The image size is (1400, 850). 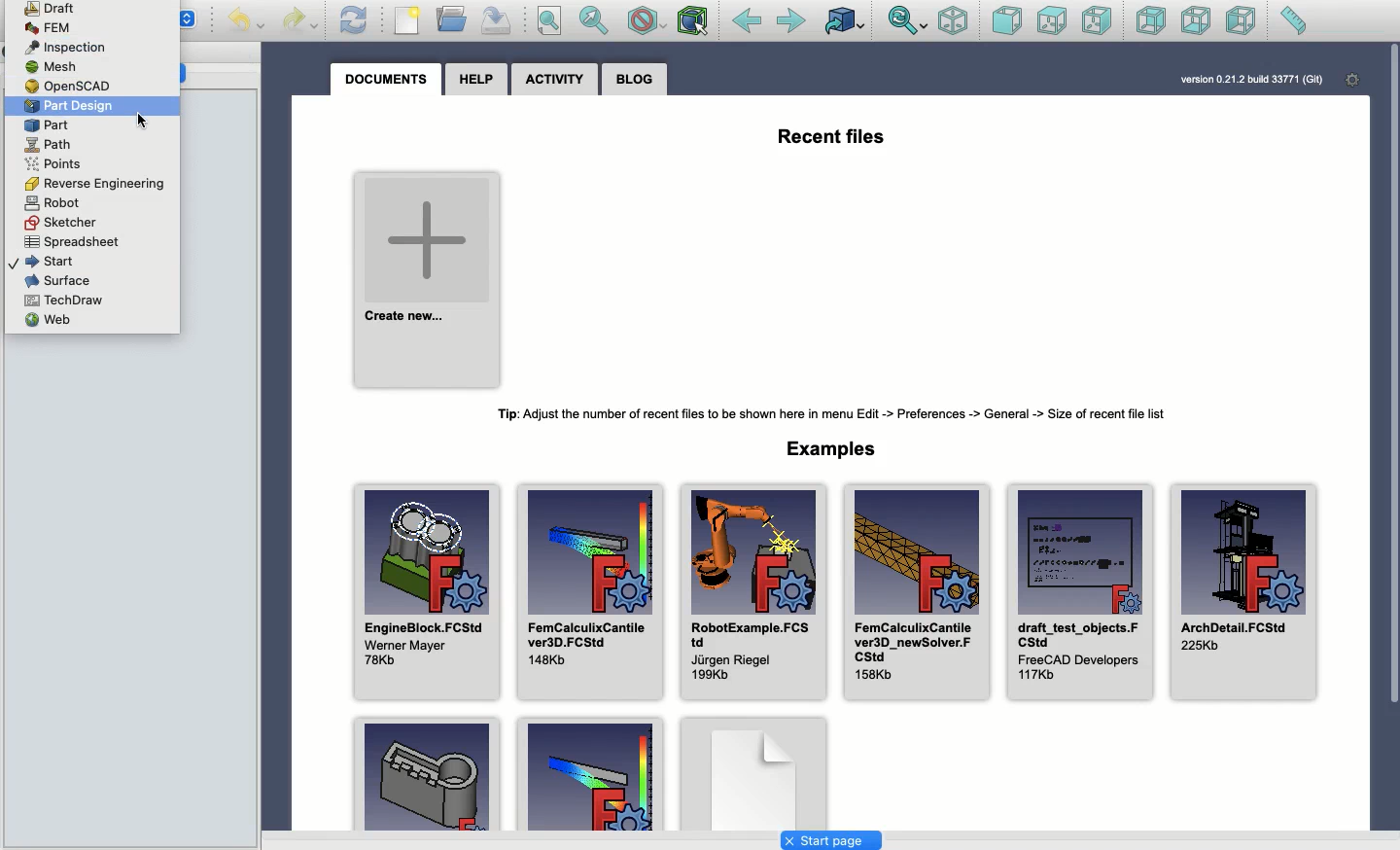 I want to click on OpenSCAD, so click(x=67, y=87).